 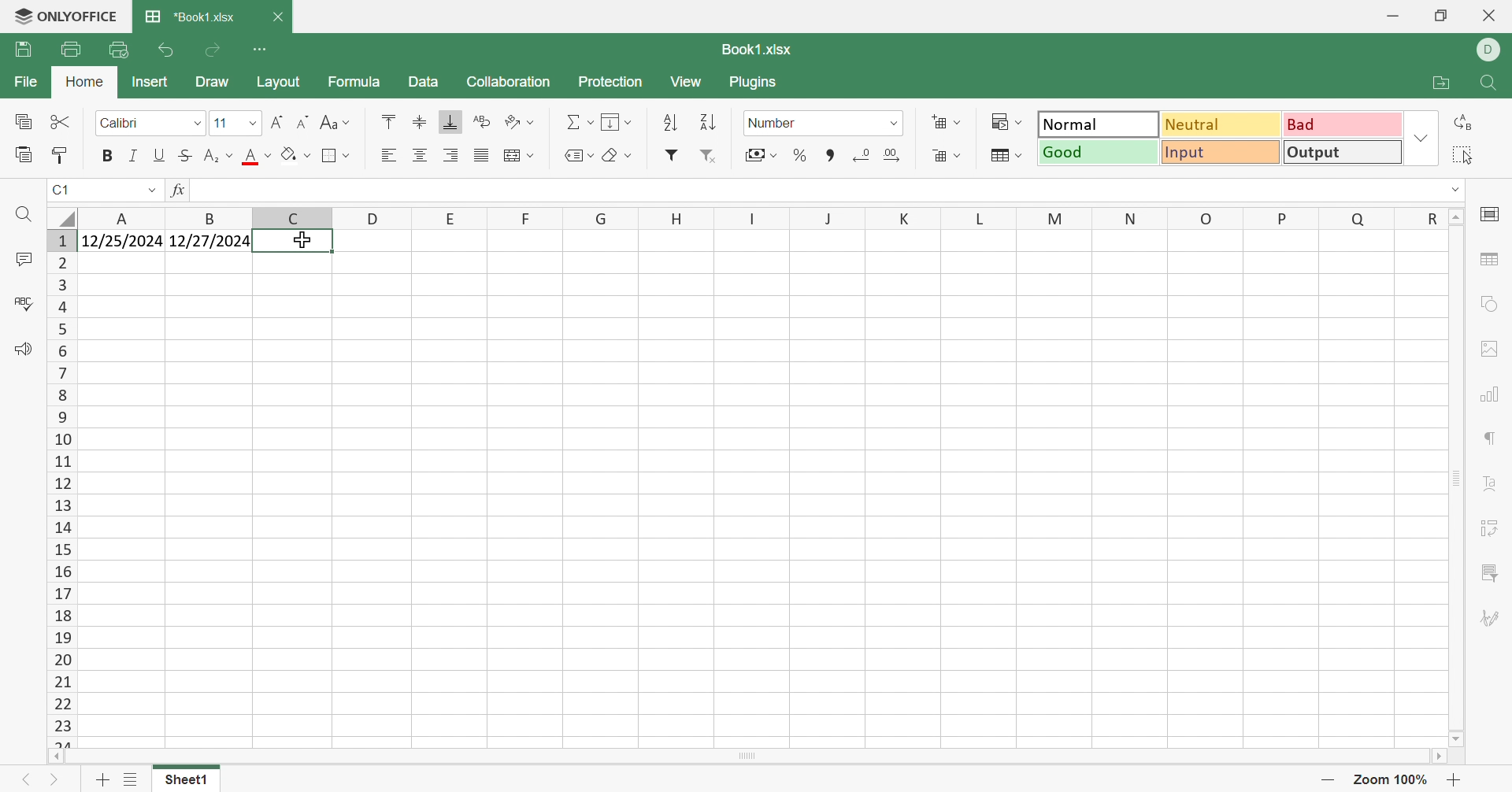 What do you see at coordinates (755, 85) in the screenshot?
I see `Plugins` at bounding box center [755, 85].